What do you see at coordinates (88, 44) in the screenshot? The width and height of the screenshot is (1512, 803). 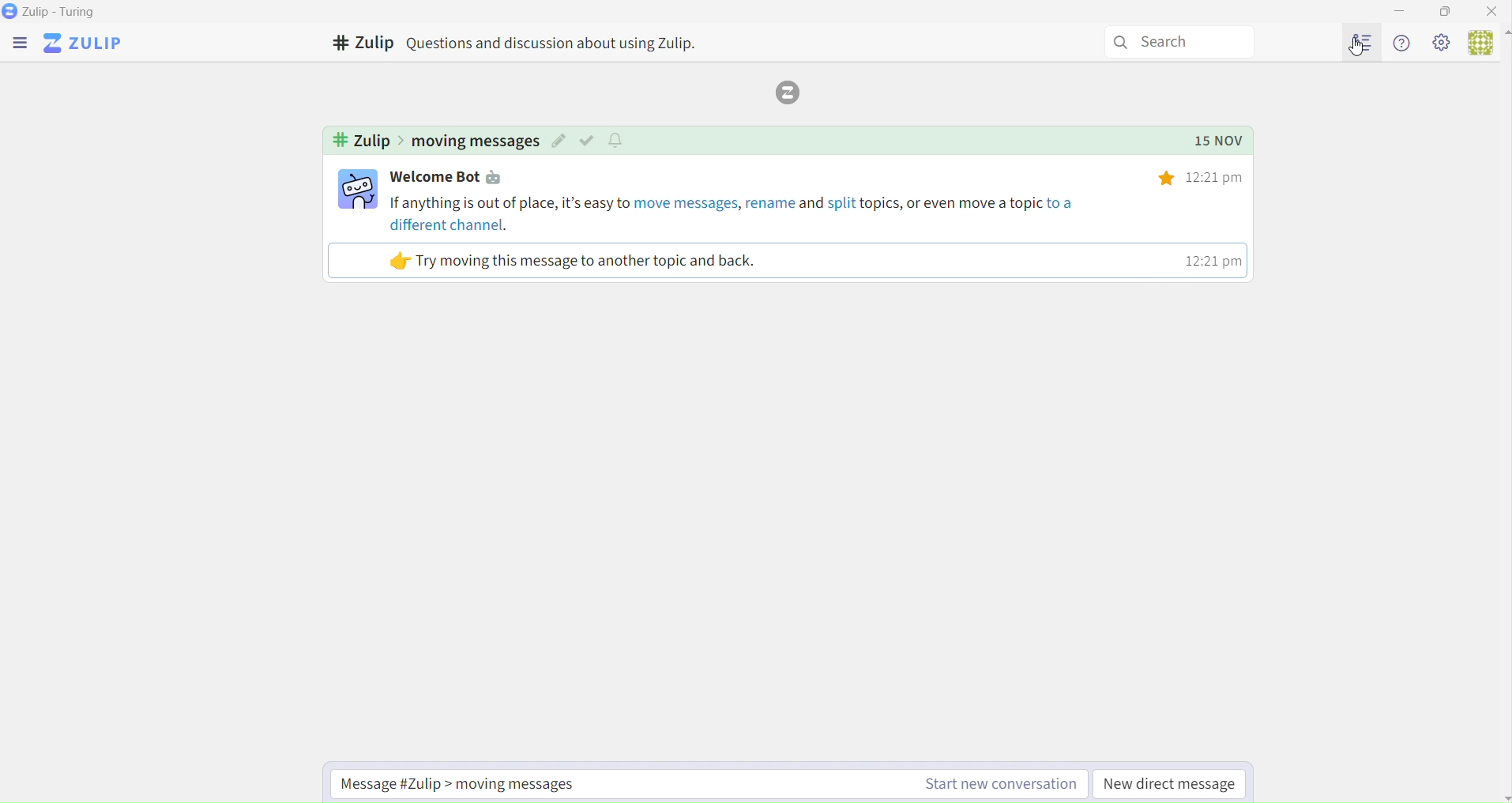 I see `ZuLip` at bounding box center [88, 44].